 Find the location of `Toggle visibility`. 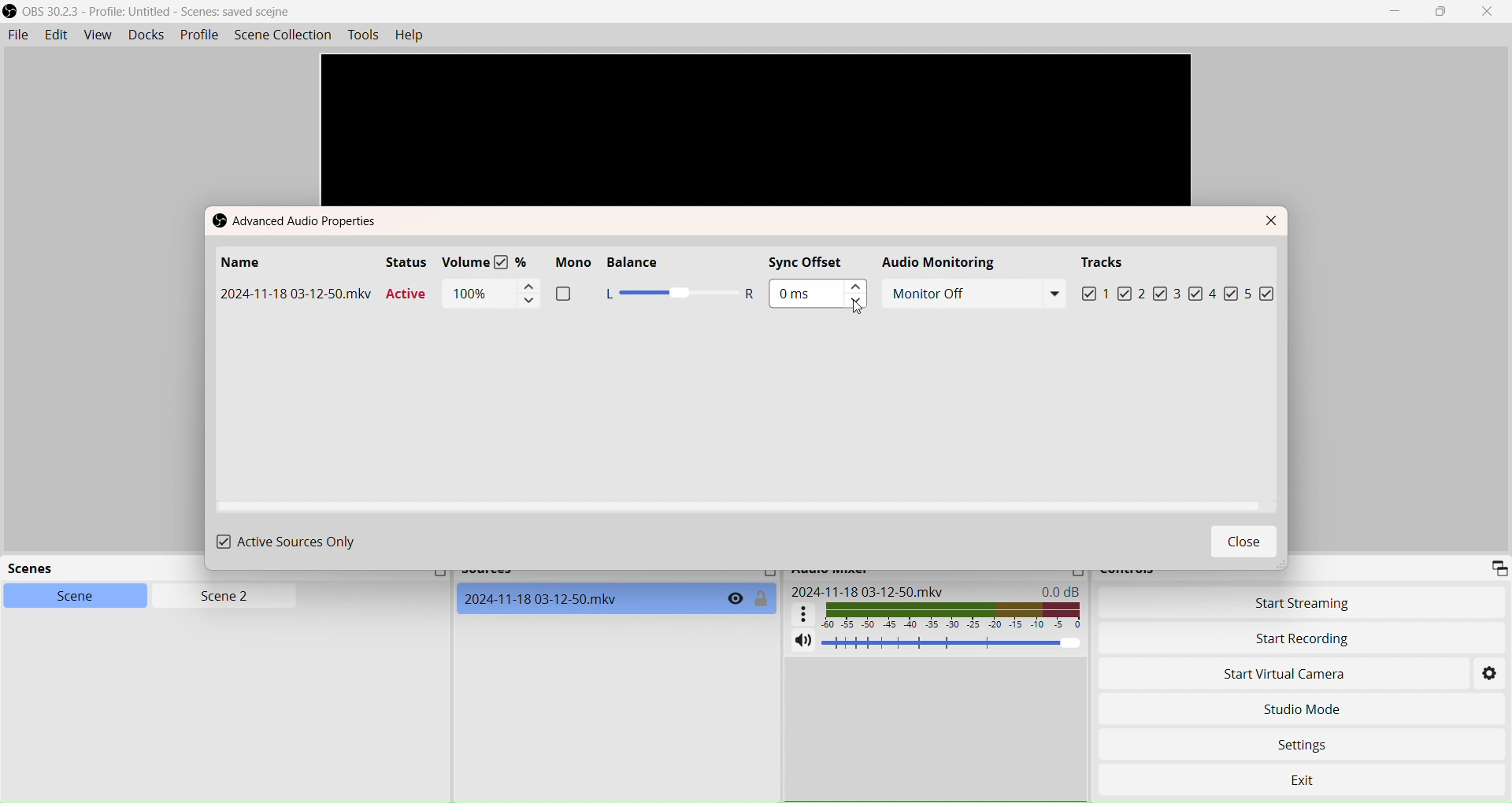

Toggle visibility is located at coordinates (735, 599).